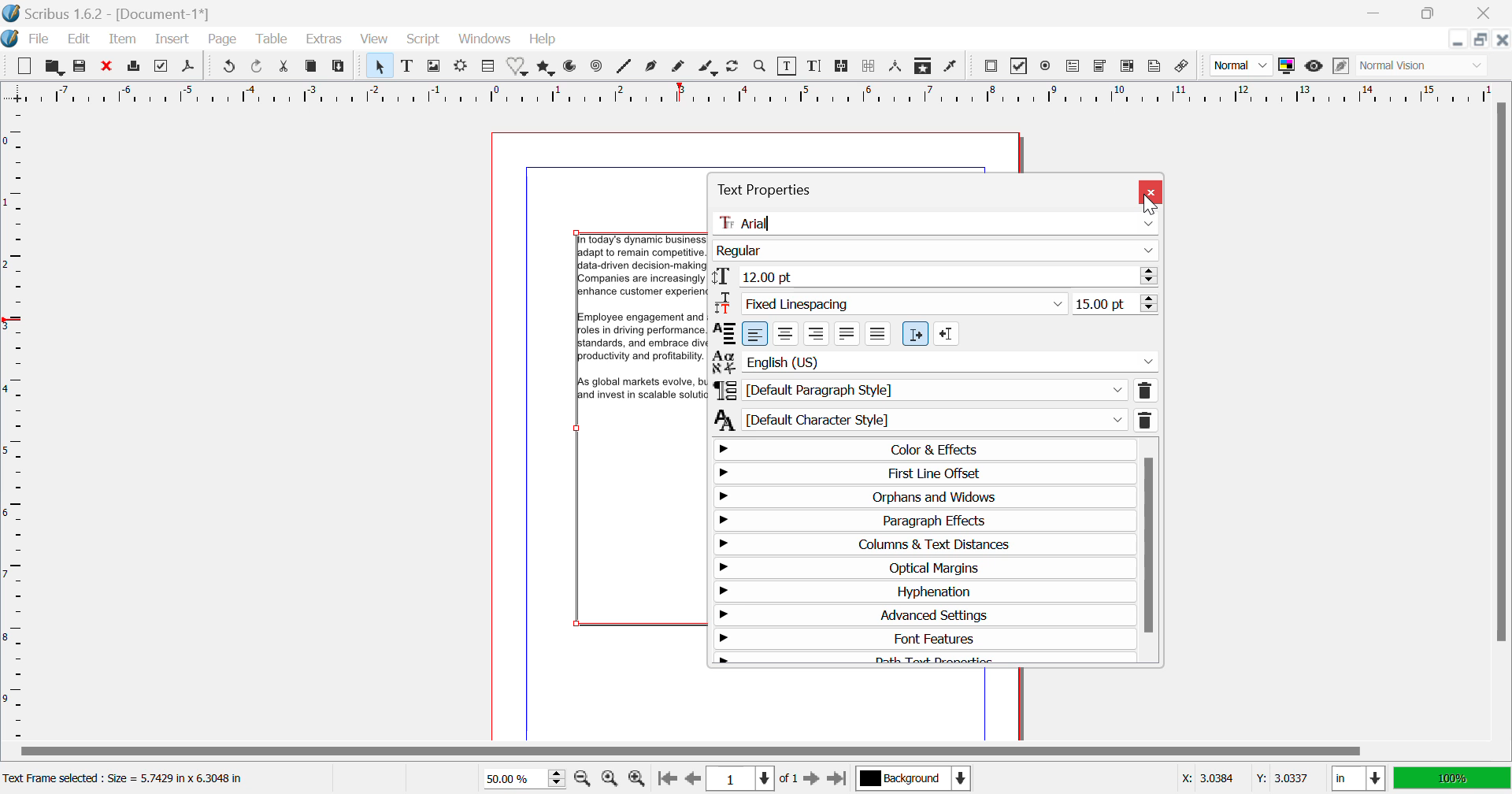 This screenshot has width=1512, height=794. I want to click on Zoom to 100%, so click(610, 778).